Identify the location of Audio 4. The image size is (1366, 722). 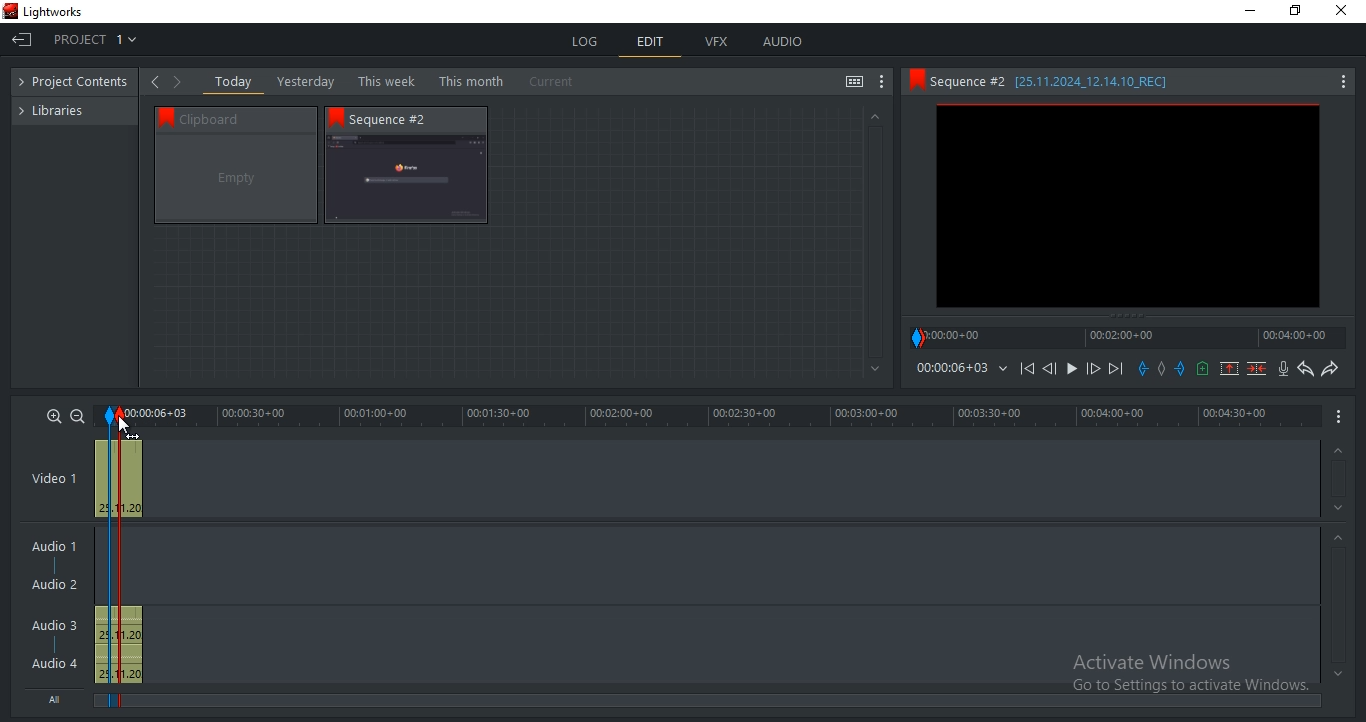
(55, 662).